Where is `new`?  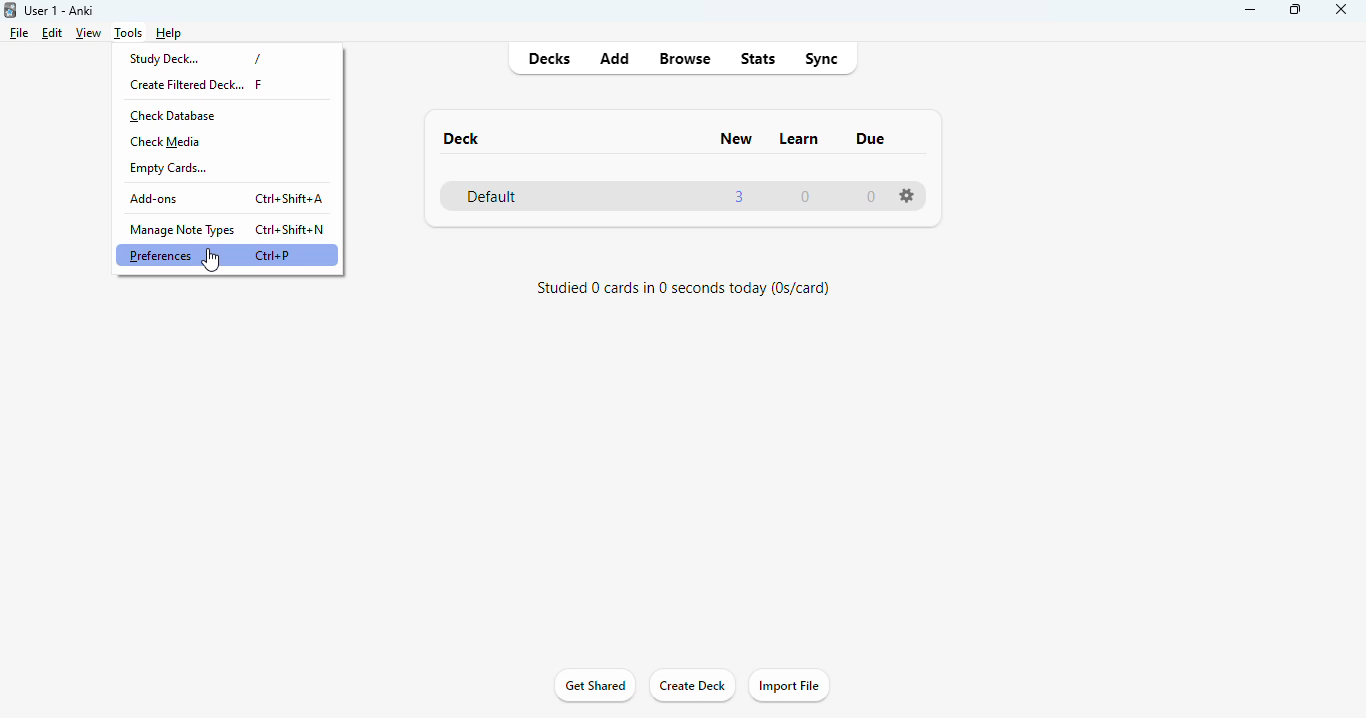 new is located at coordinates (736, 138).